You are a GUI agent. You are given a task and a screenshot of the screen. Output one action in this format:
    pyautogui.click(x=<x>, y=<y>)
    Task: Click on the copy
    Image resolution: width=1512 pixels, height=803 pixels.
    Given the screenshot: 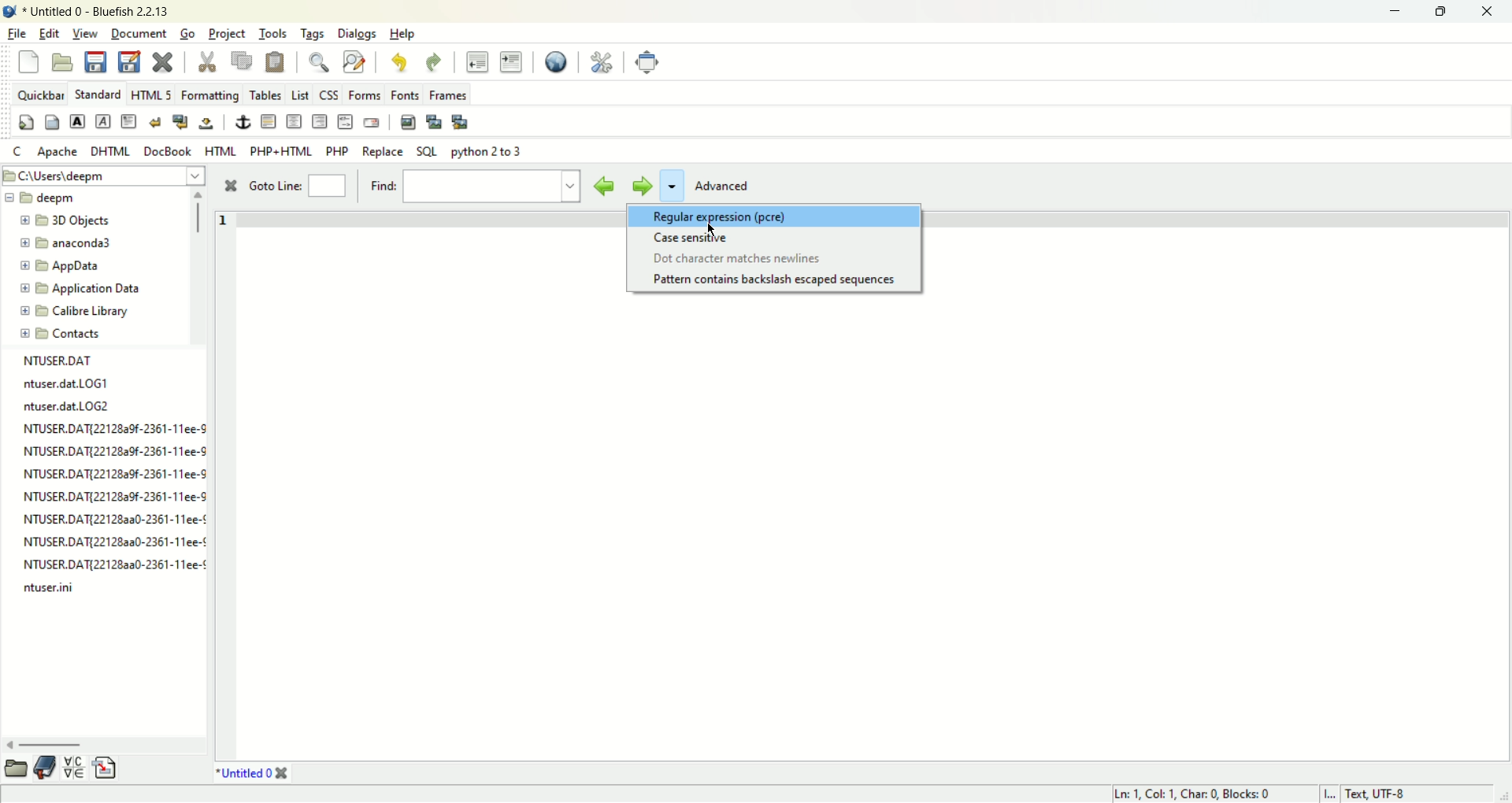 What is the action you would take?
    pyautogui.click(x=243, y=60)
    